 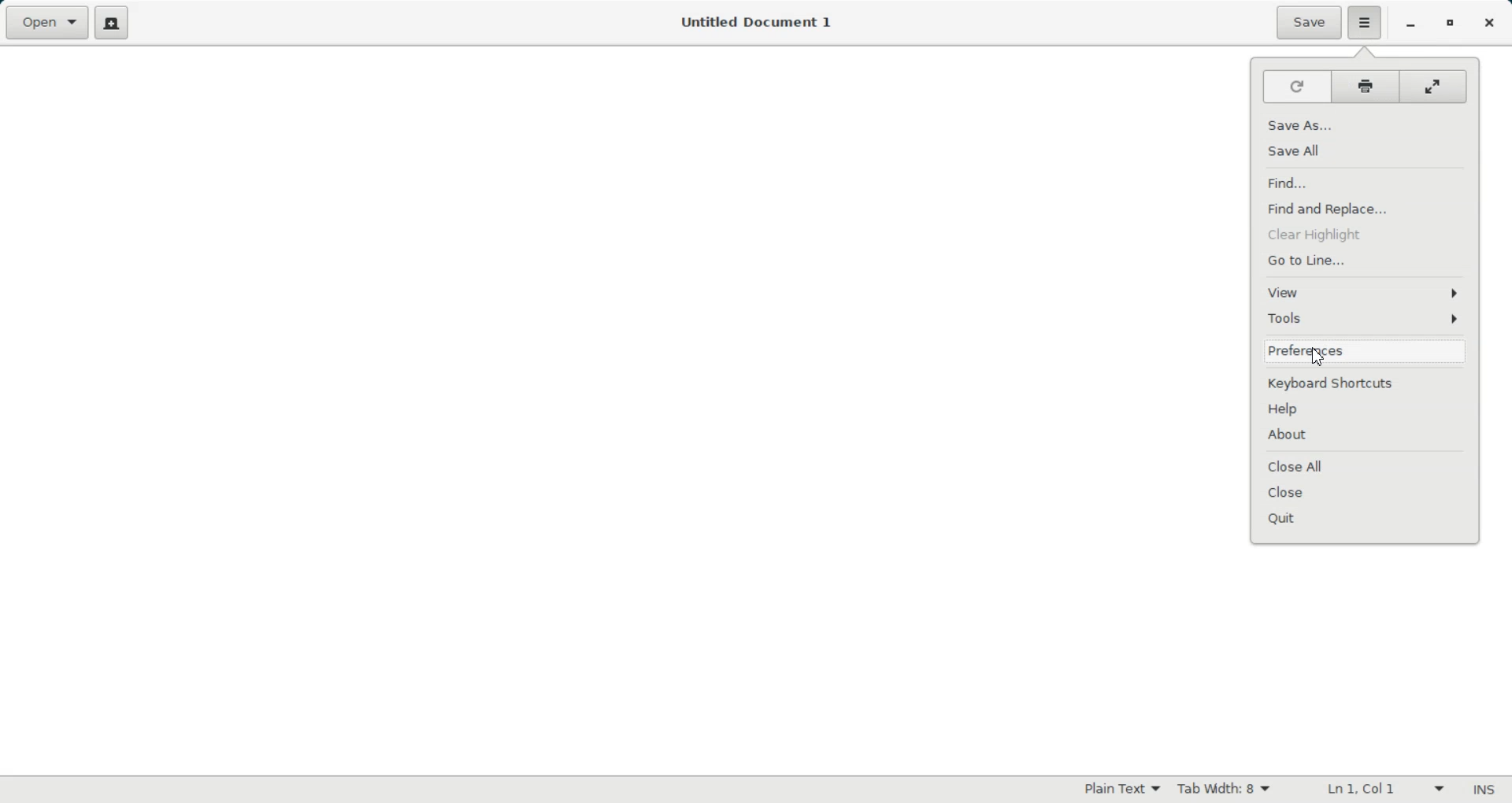 I want to click on Tools, so click(x=1366, y=317).